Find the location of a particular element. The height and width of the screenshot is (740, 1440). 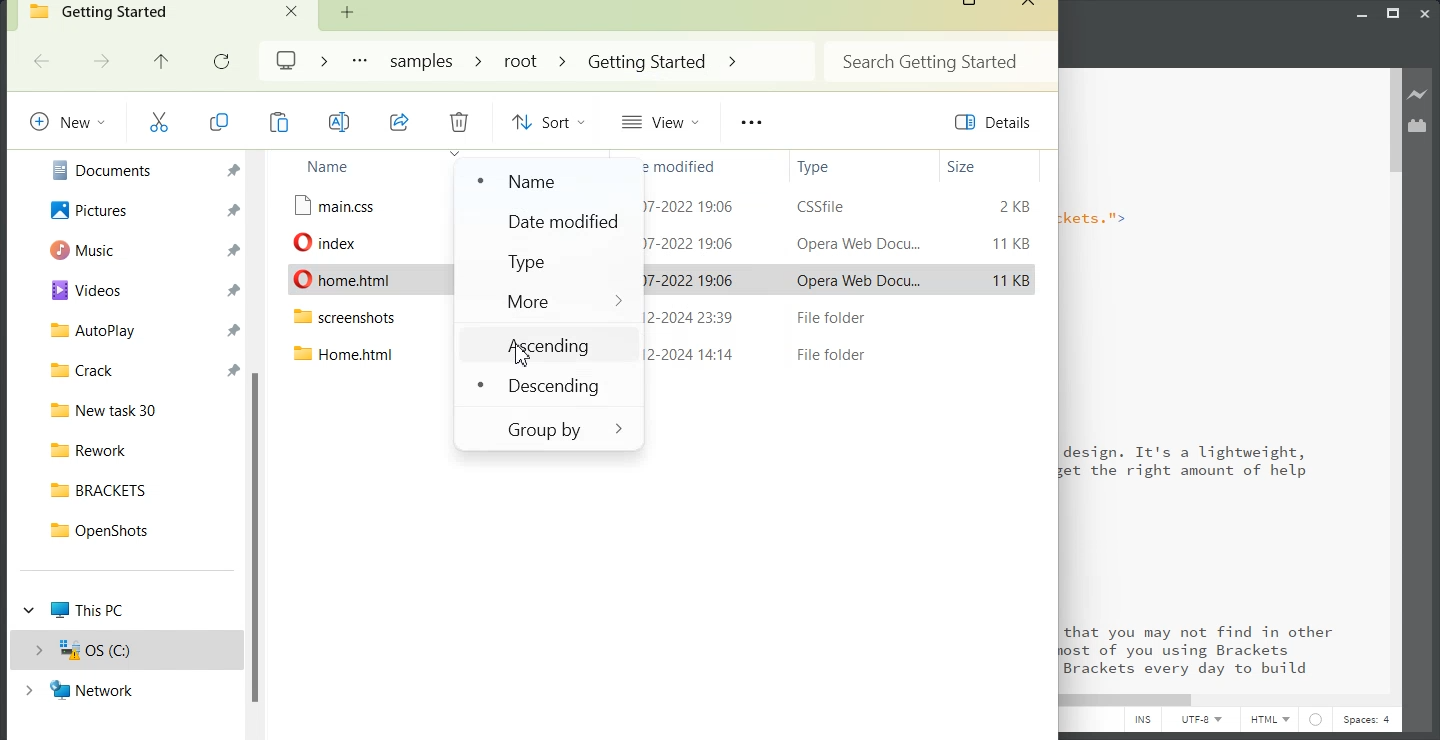

Horizontal Scroll bar  is located at coordinates (810, 699).